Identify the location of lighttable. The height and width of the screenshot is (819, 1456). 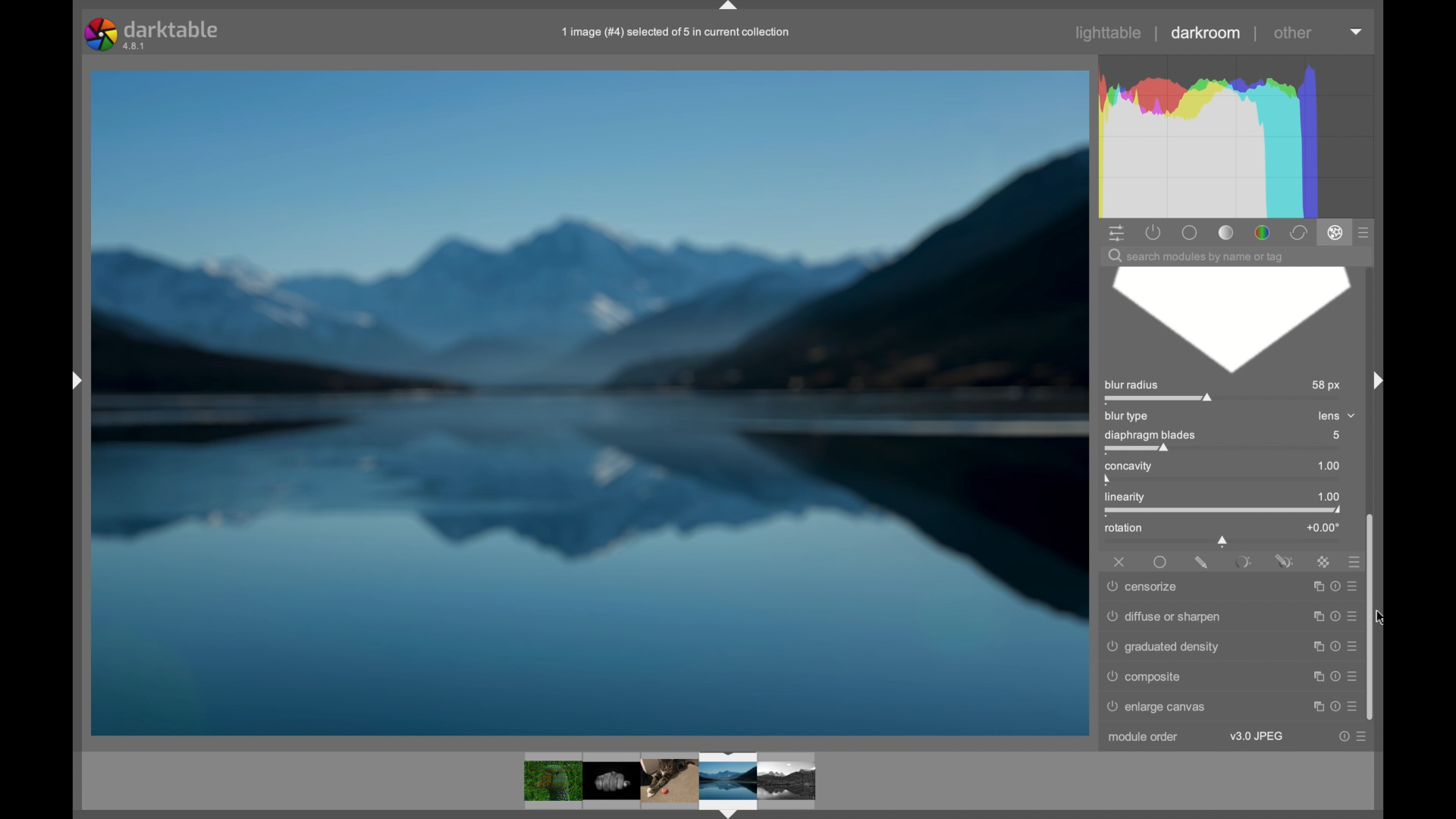
(1110, 33).